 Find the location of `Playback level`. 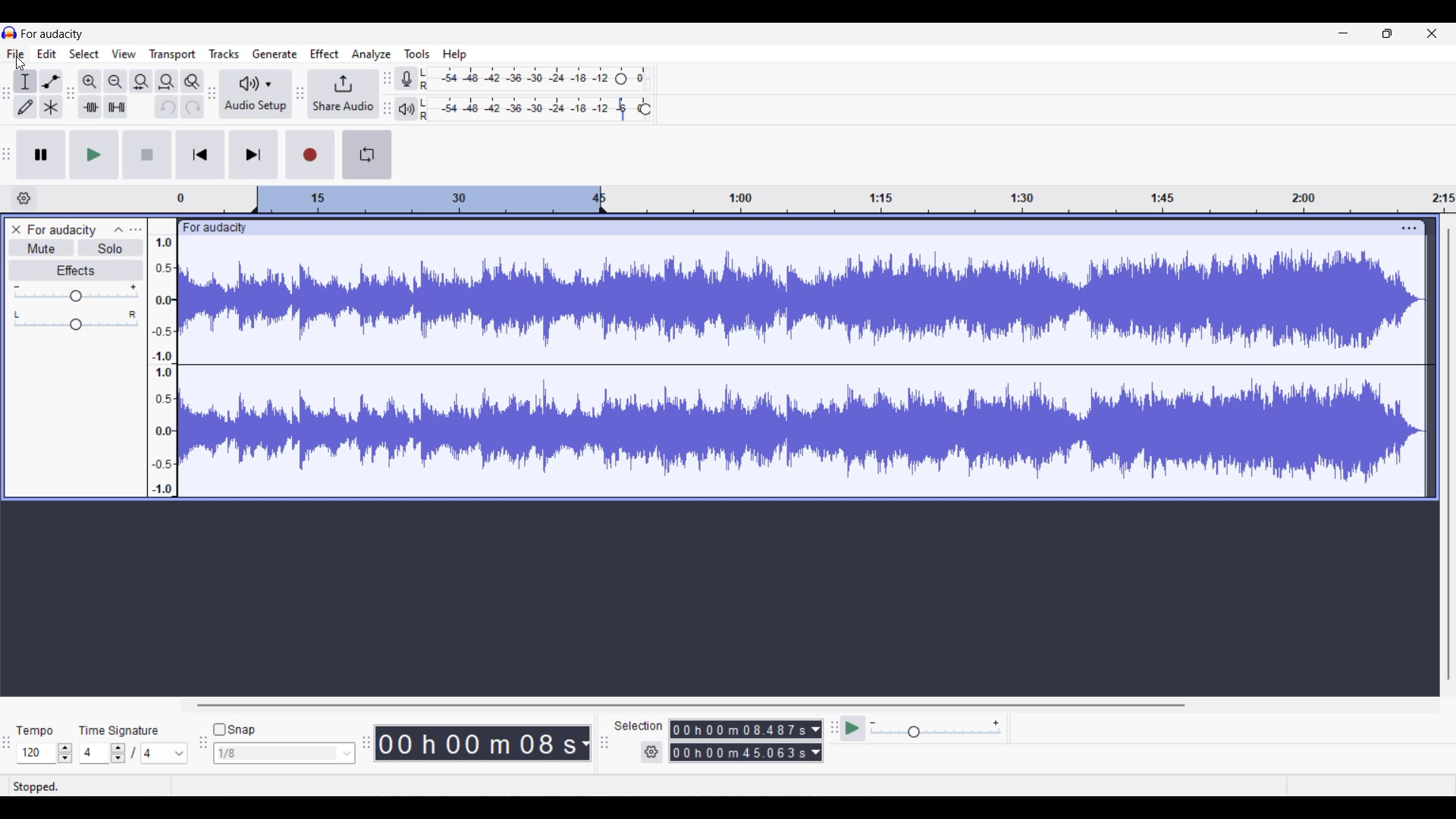

Playback level is located at coordinates (526, 109).